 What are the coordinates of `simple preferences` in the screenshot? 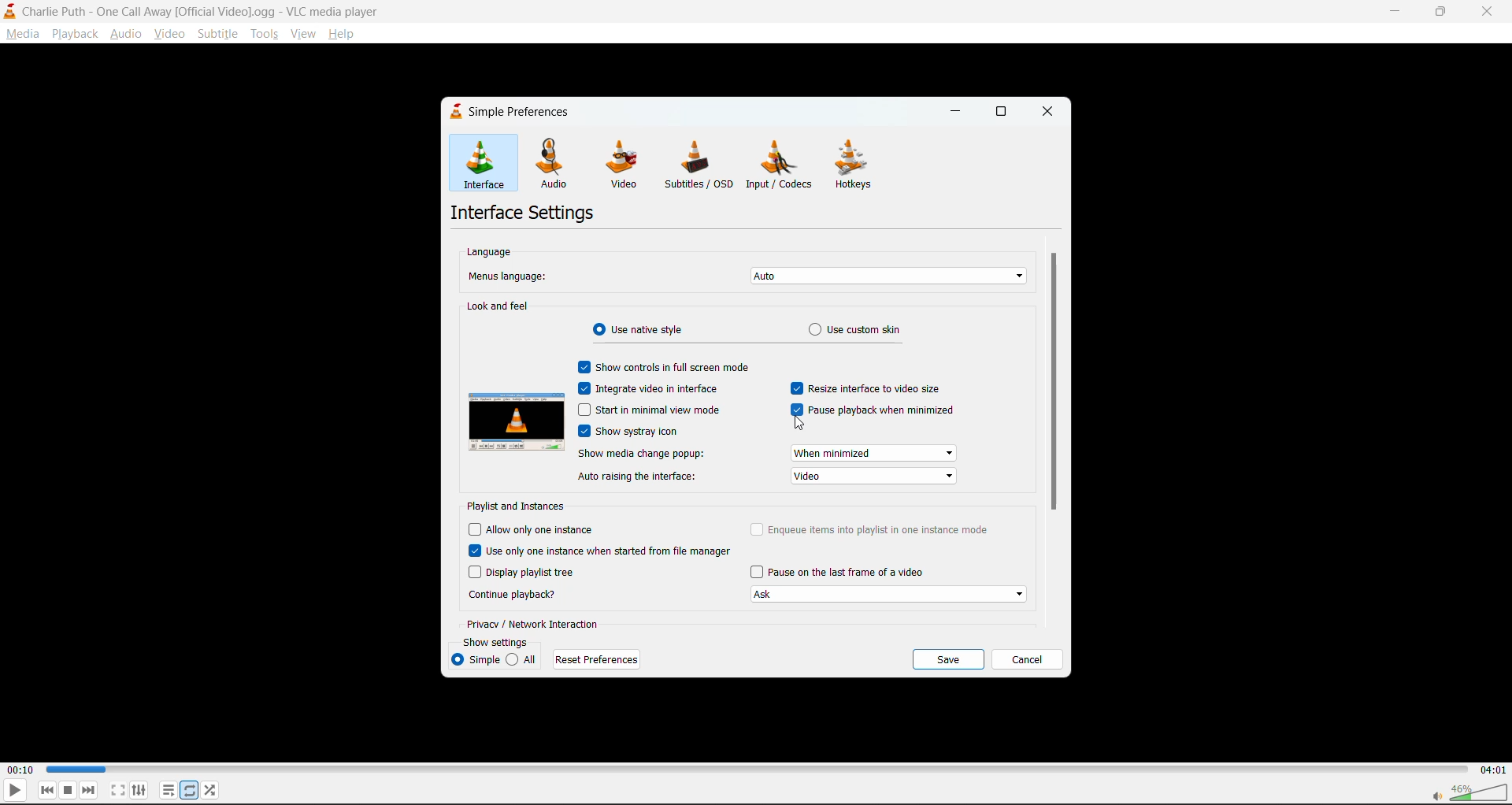 It's located at (512, 114).